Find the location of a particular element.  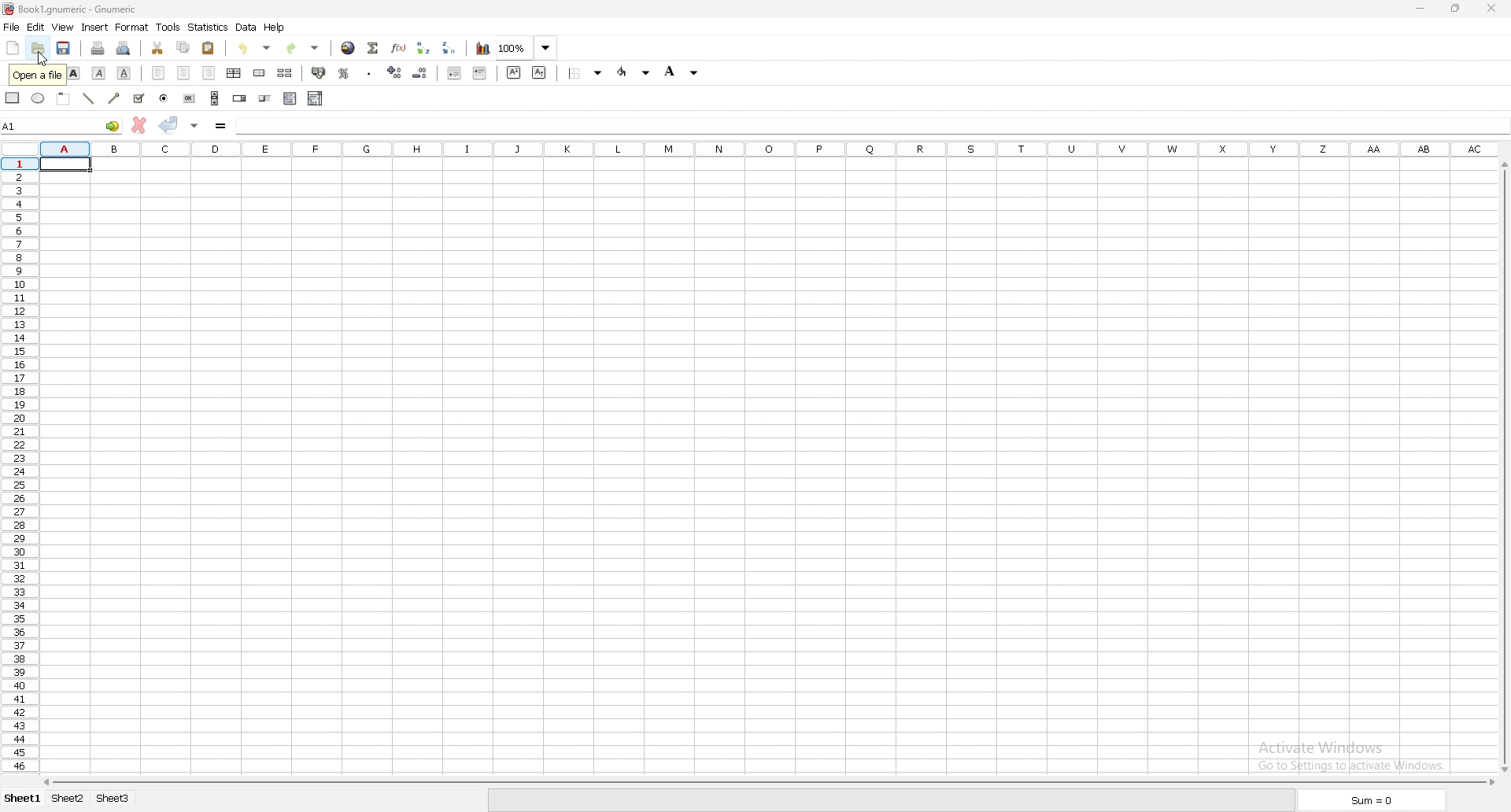

line is located at coordinates (89, 98).